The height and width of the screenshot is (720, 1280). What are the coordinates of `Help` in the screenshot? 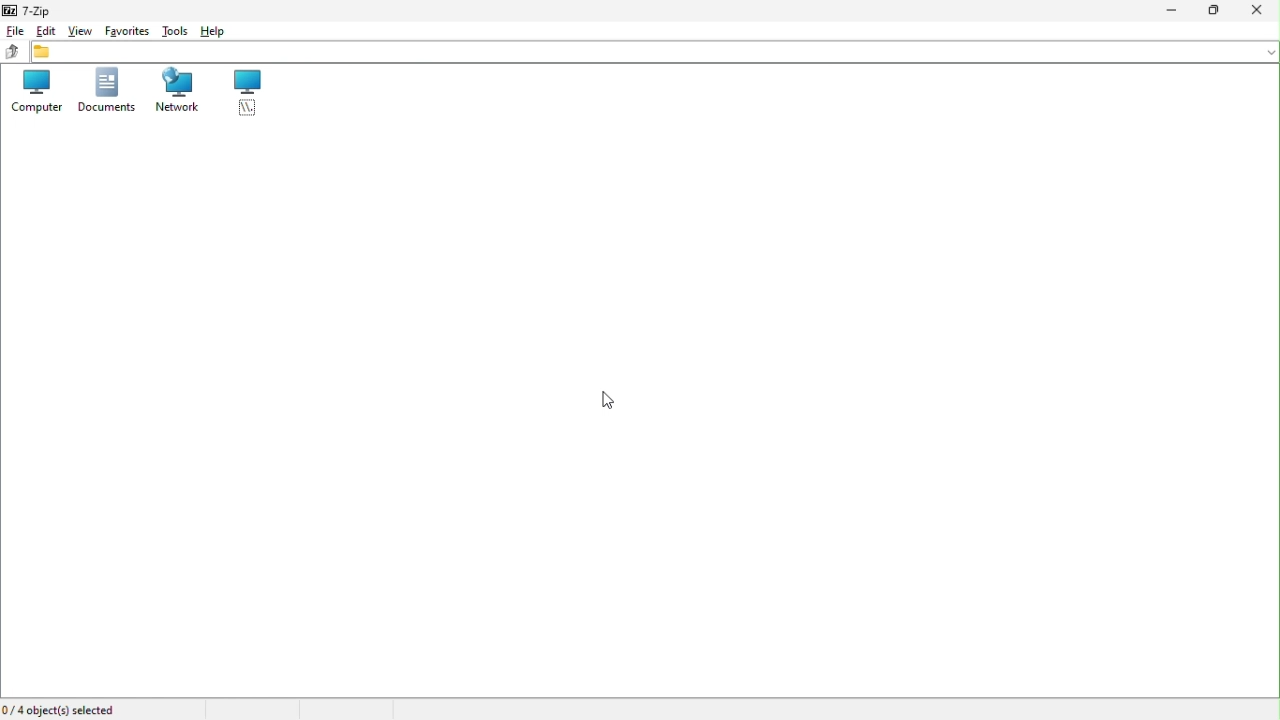 It's located at (218, 33).